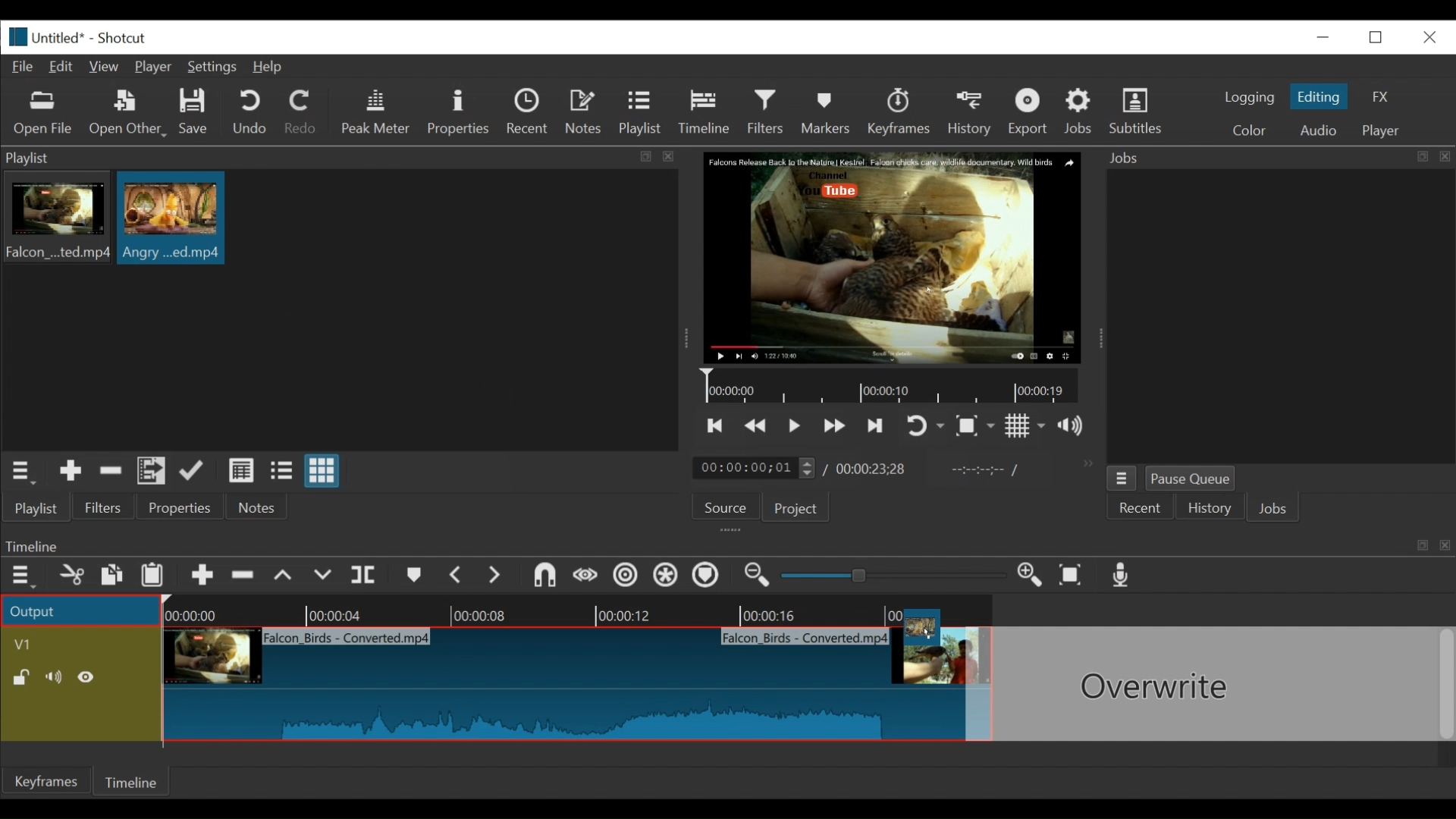 The width and height of the screenshot is (1456, 819). What do you see at coordinates (1025, 425) in the screenshot?
I see `Toggle display grid on player` at bounding box center [1025, 425].